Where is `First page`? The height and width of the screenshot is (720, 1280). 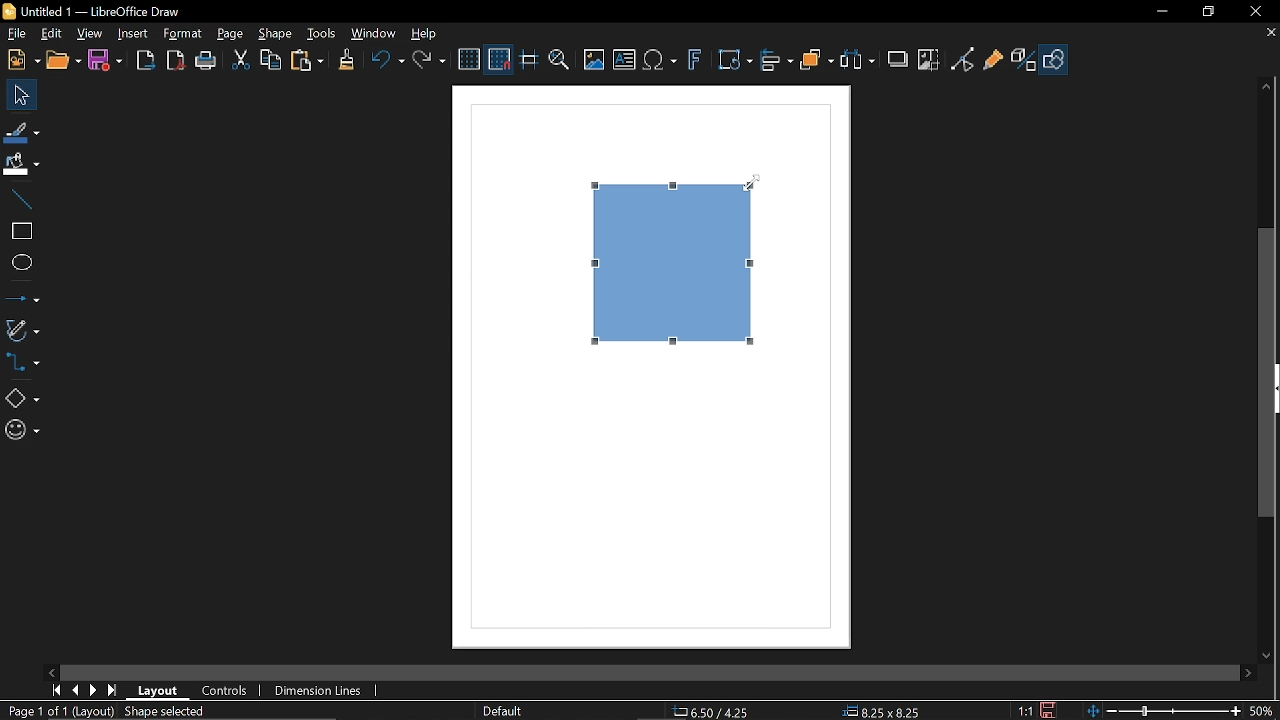
First page is located at coordinates (56, 692).